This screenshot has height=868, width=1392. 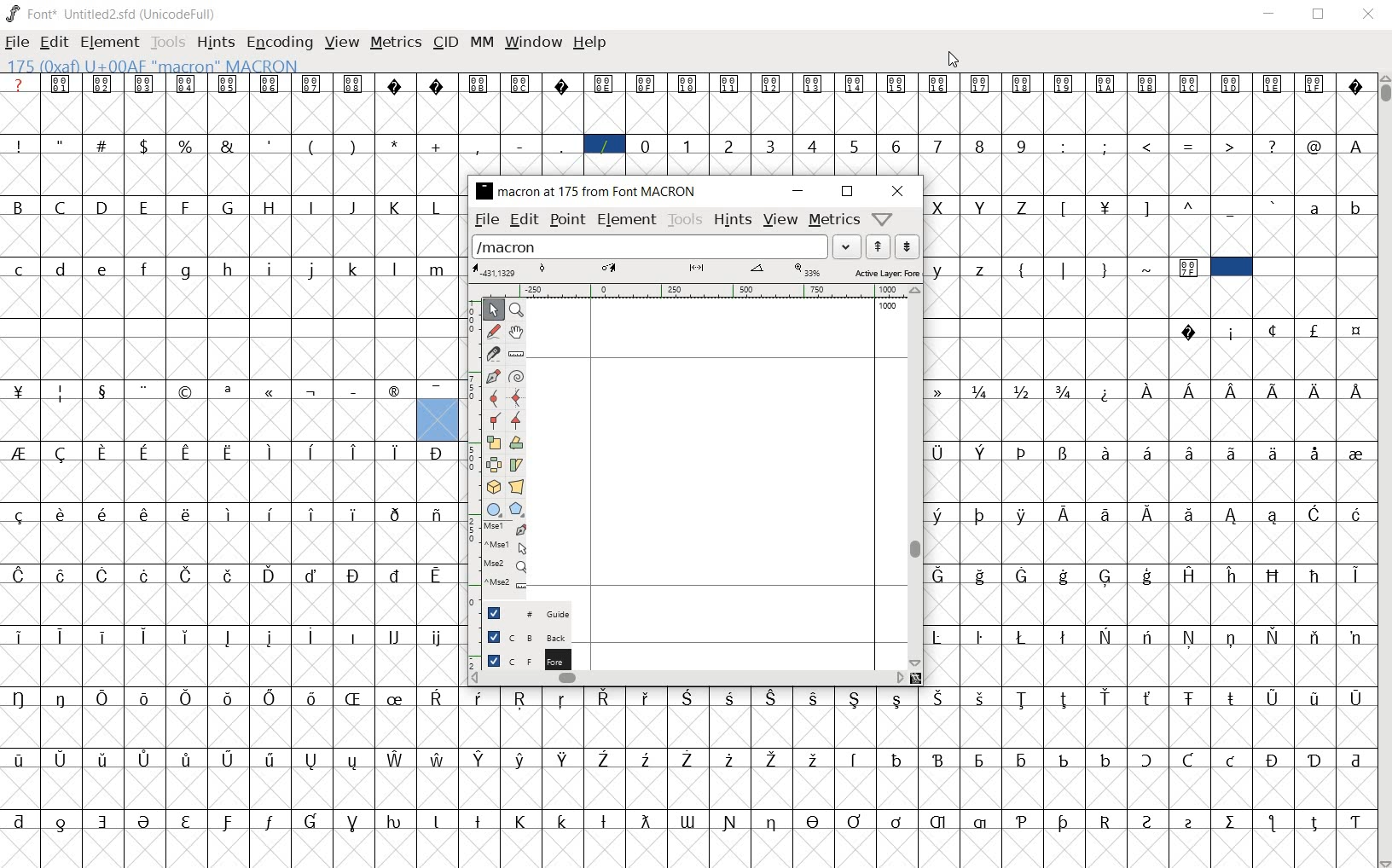 I want to click on point, so click(x=565, y=221).